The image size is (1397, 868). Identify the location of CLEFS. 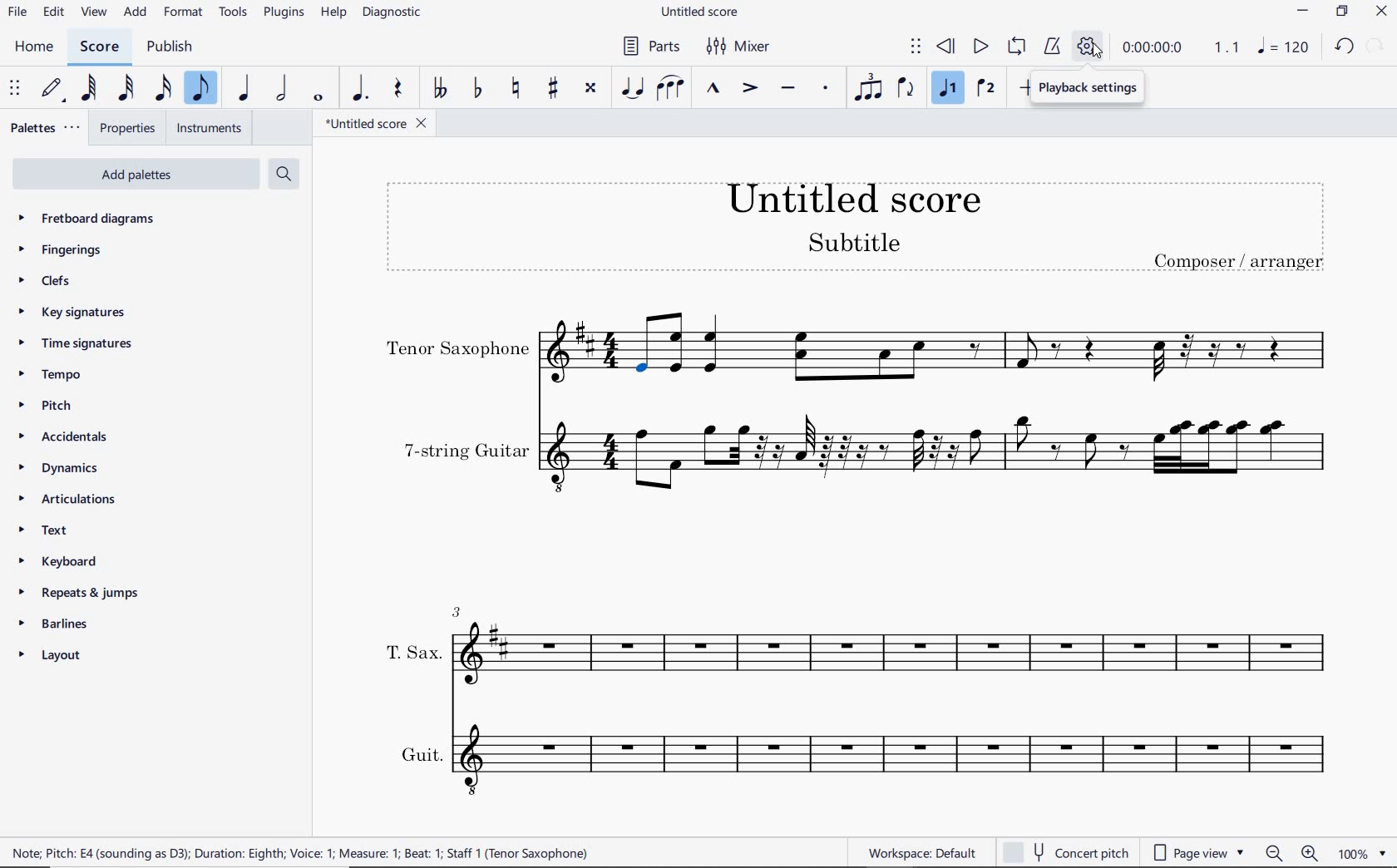
(52, 282).